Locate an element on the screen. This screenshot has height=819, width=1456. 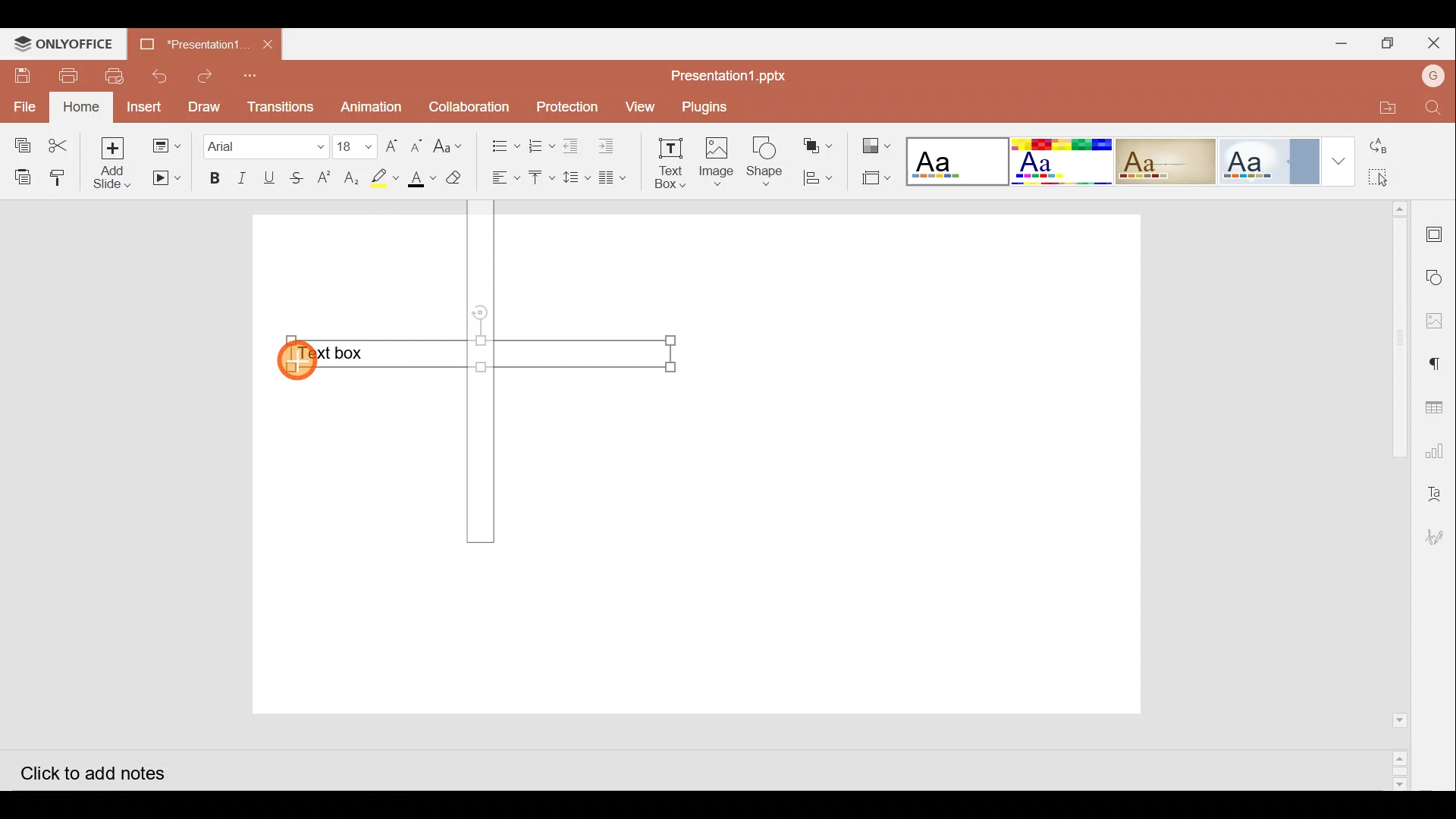
Redo is located at coordinates (206, 76).